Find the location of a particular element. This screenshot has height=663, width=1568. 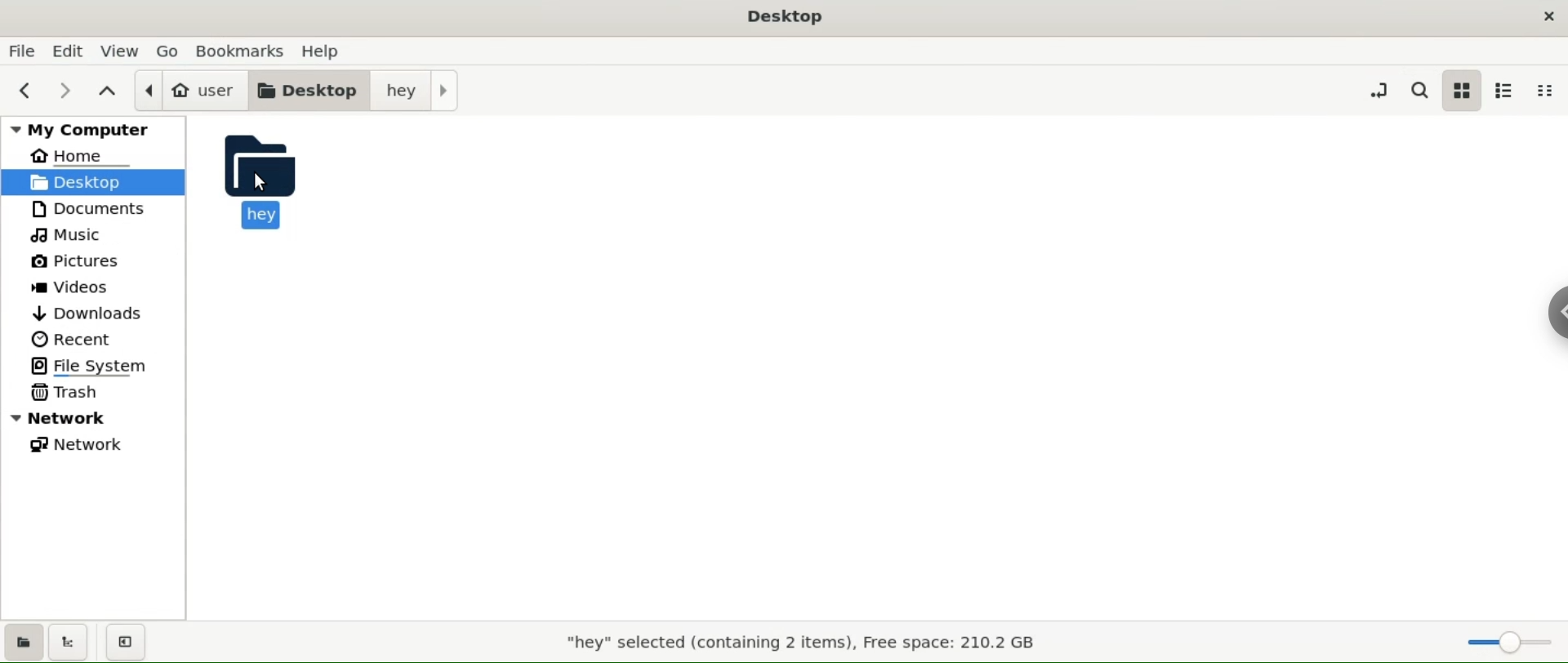

home is located at coordinates (66, 156).